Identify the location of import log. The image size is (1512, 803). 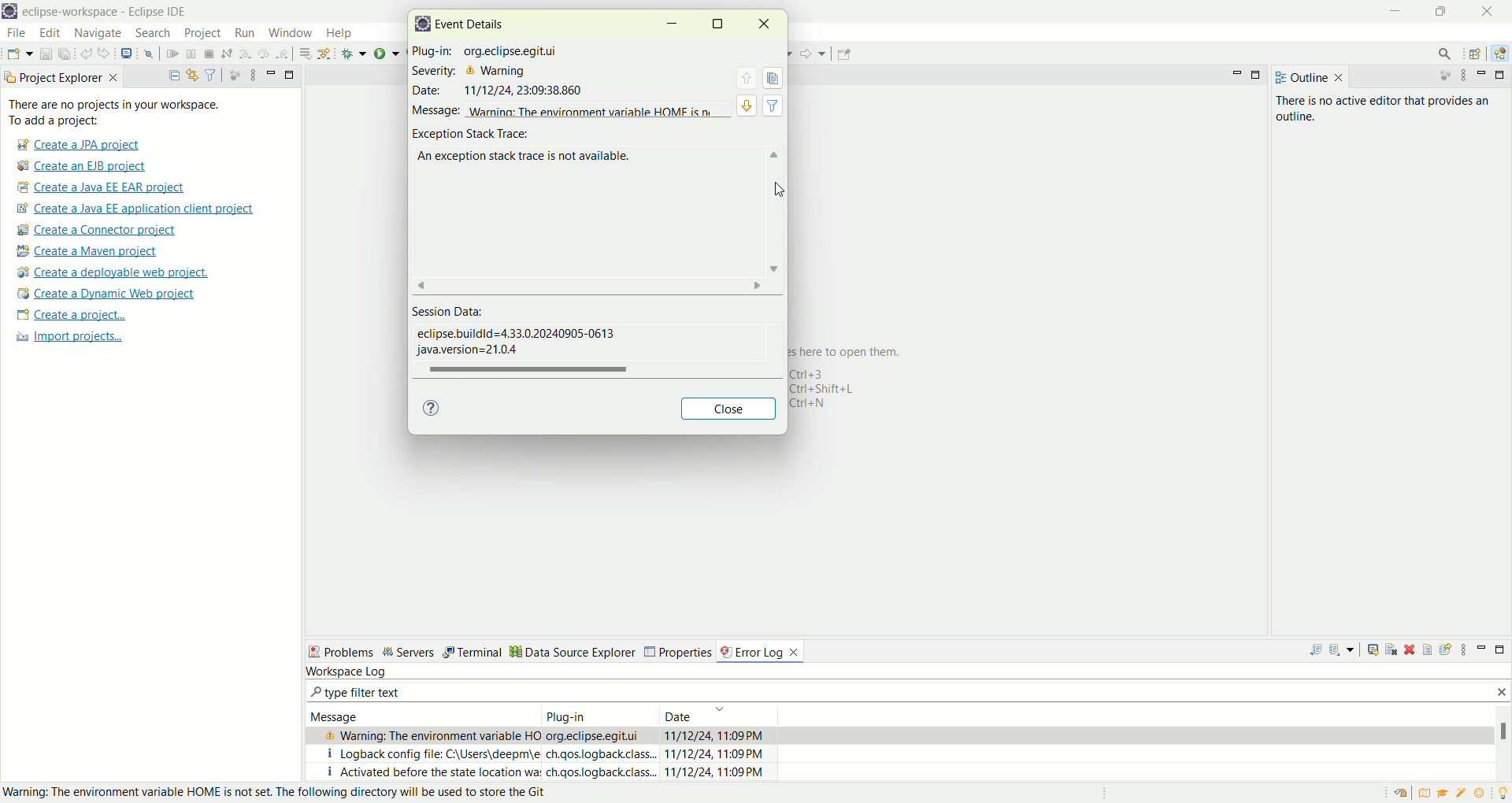
(1344, 653).